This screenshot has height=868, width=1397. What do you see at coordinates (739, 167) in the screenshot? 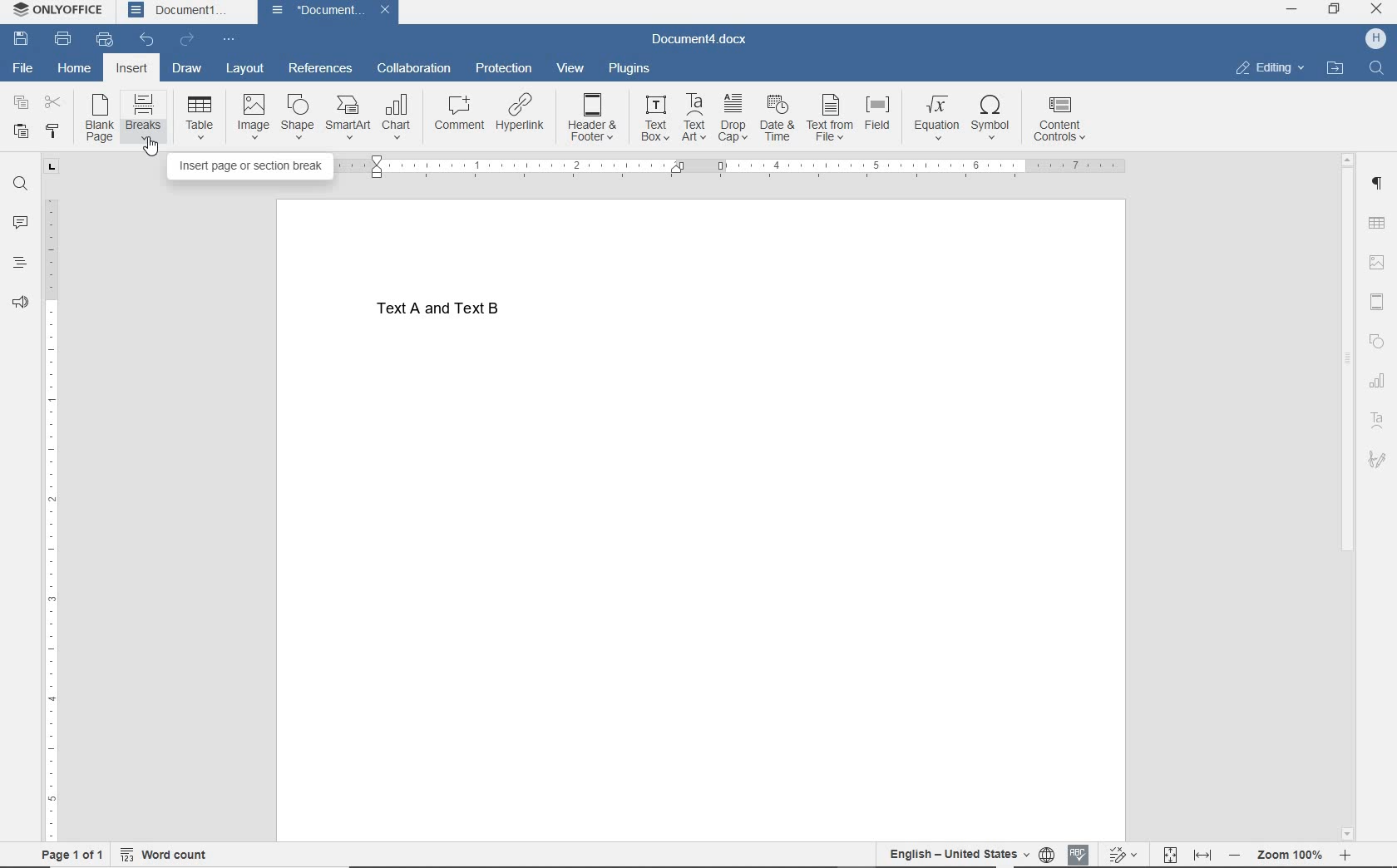
I see `RULER` at bounding box center [739, 167].